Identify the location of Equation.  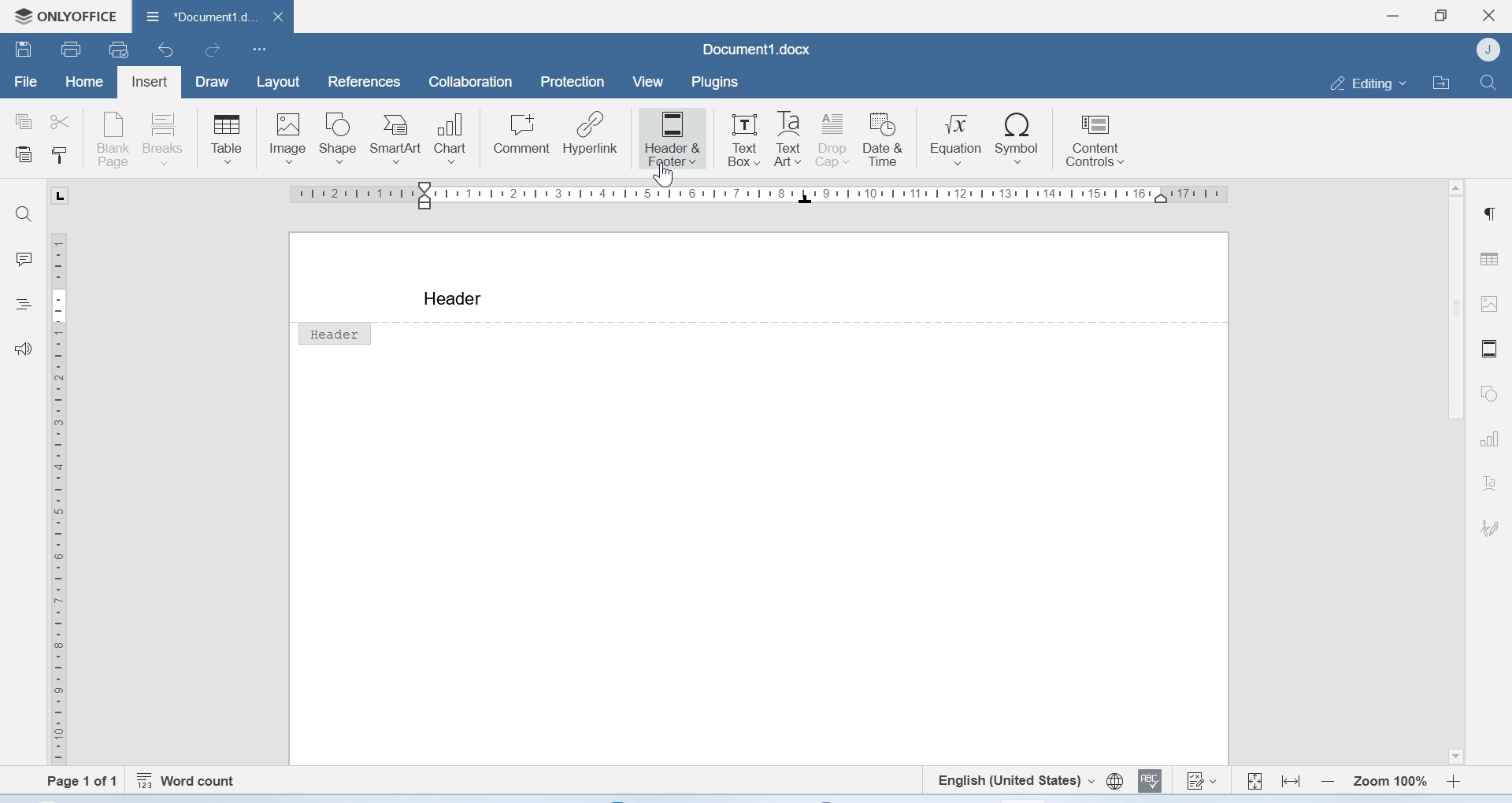
(957, 139).